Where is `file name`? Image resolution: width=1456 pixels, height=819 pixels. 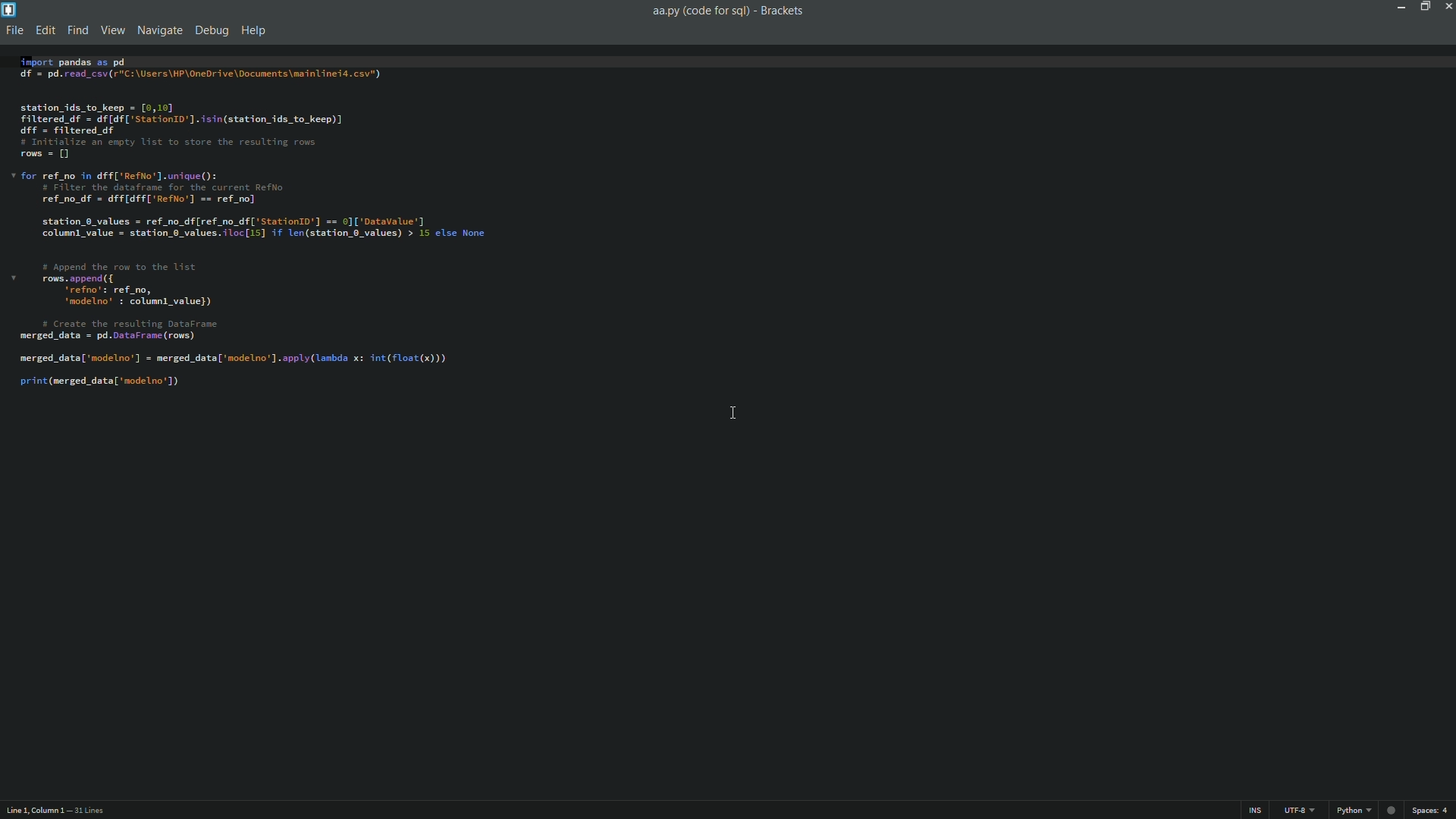 file name is located at coordinates (697, 11).